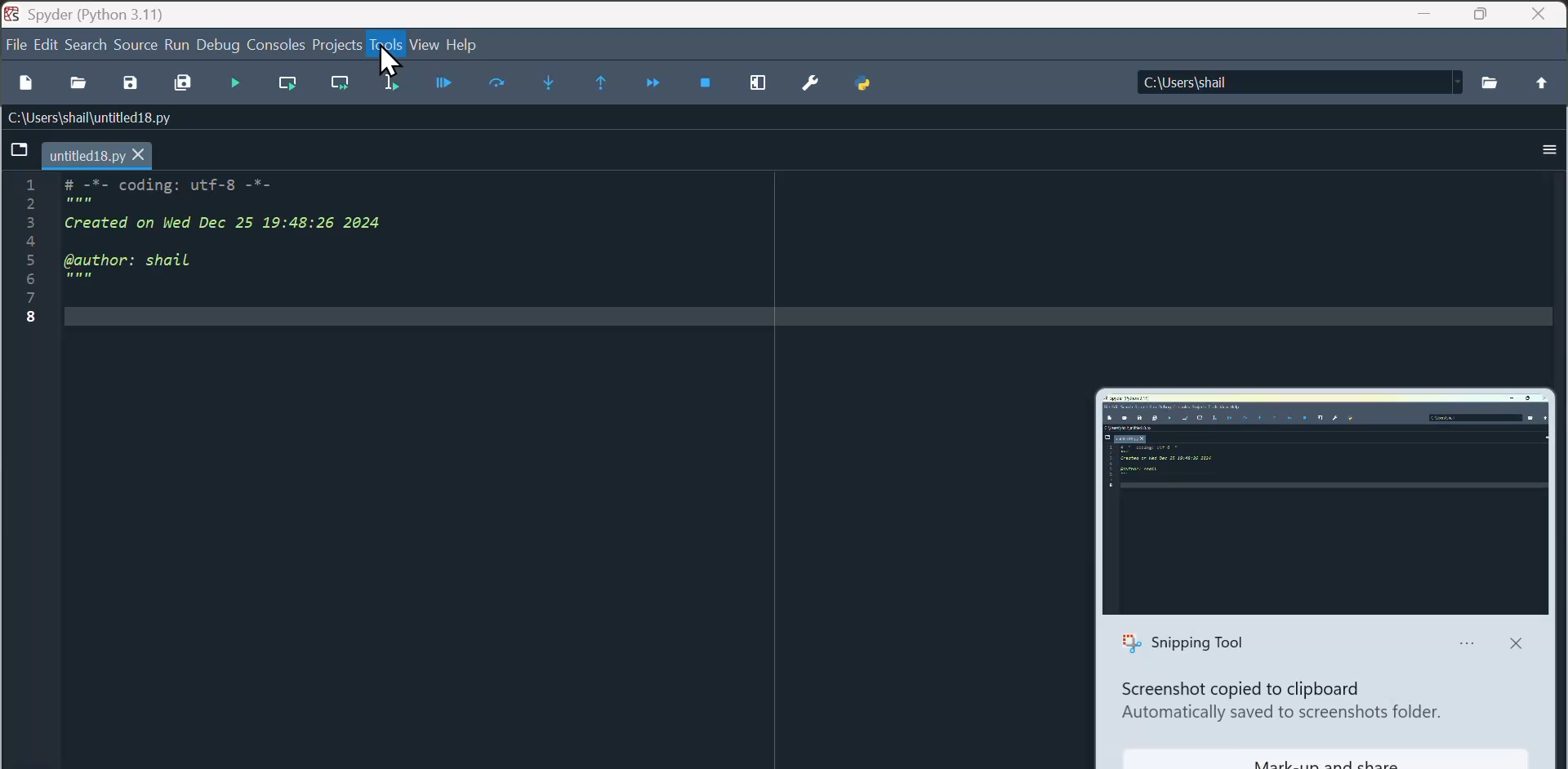 The image size is (1568, 769). I want to click on Run into current page, so click(546, 83).